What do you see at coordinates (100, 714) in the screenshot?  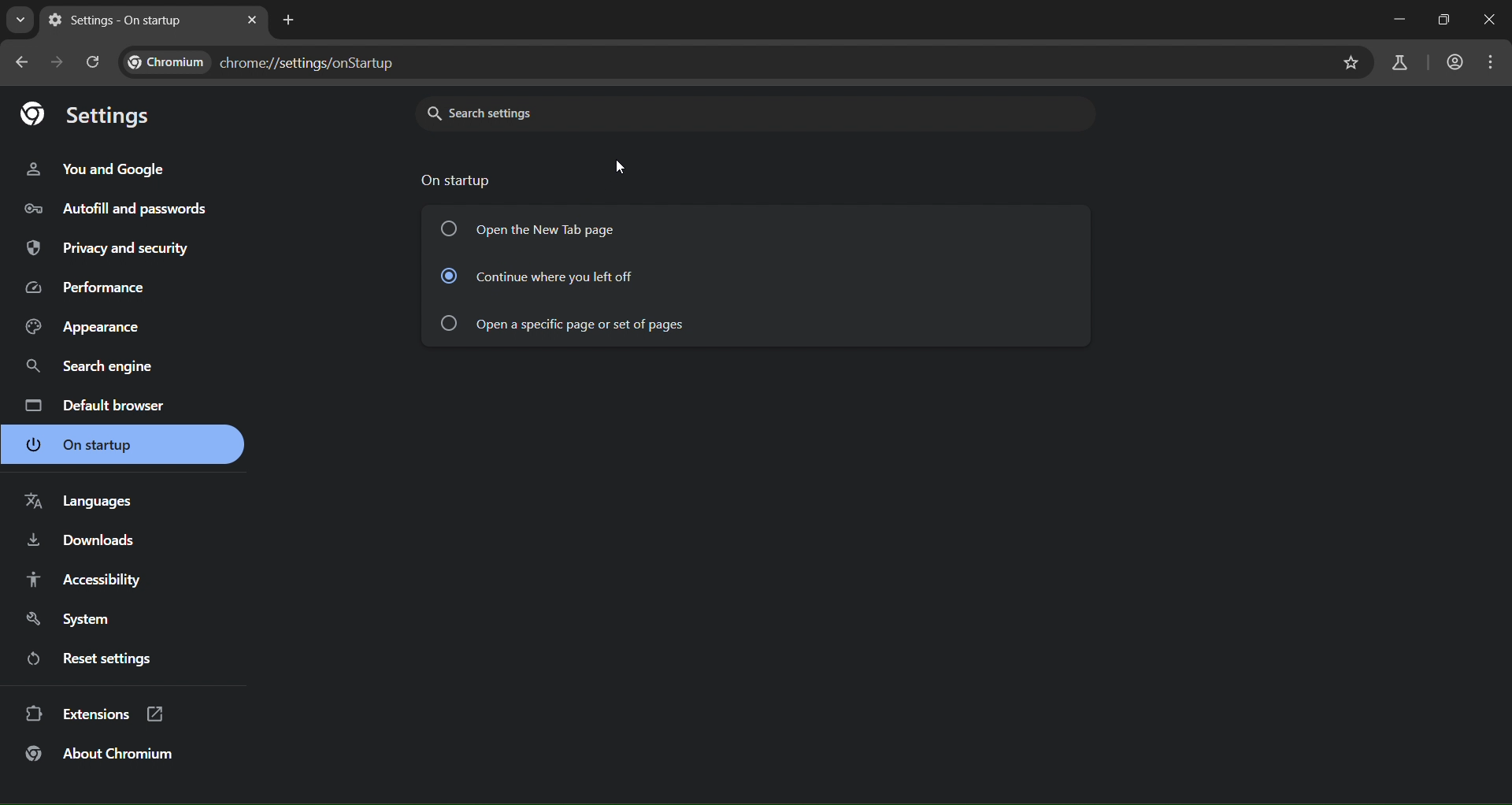 I see `extensions` at bounding box center [100, 714].